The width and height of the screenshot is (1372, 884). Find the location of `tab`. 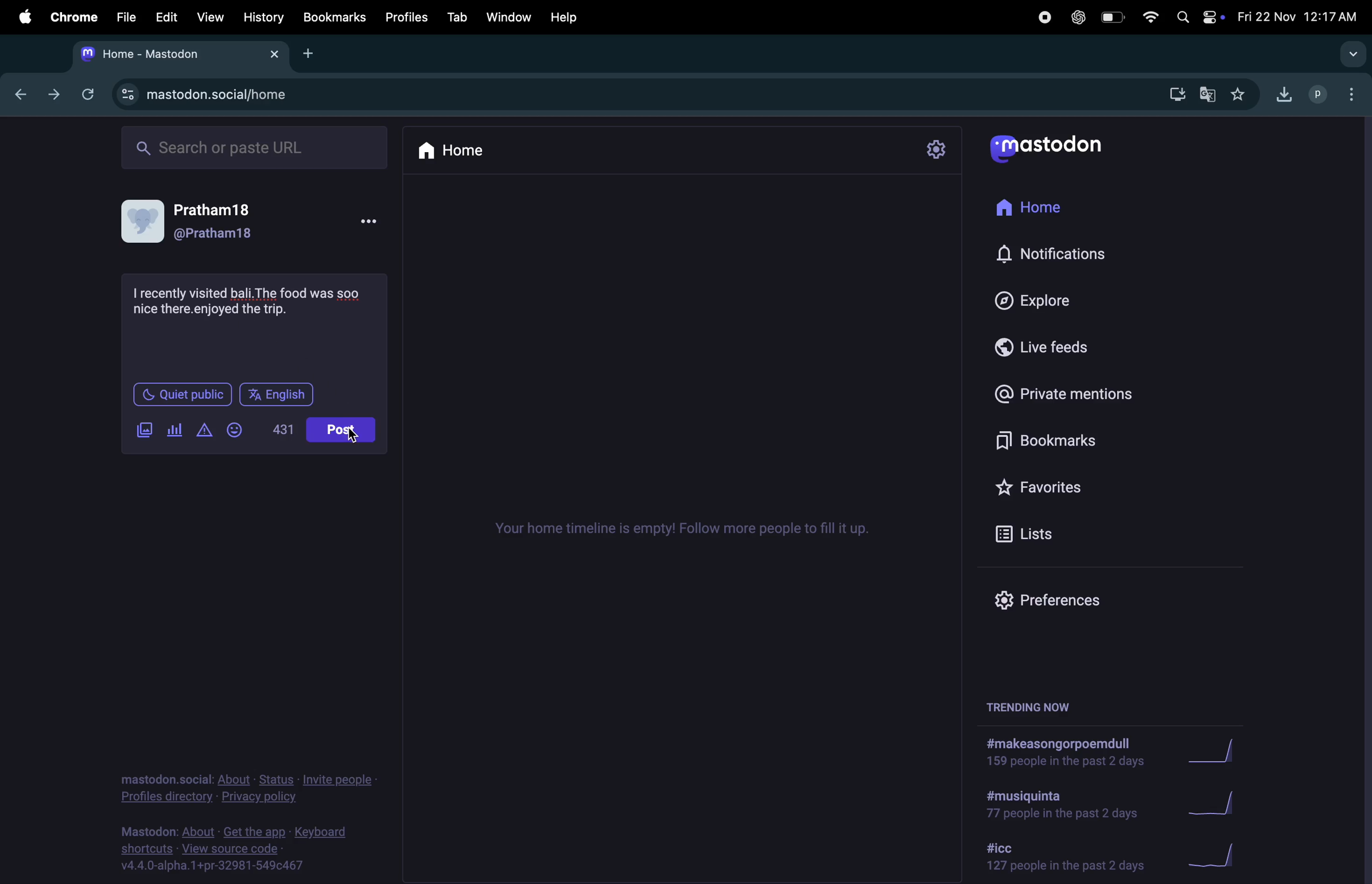

tab is located at coordinates (460, 15).